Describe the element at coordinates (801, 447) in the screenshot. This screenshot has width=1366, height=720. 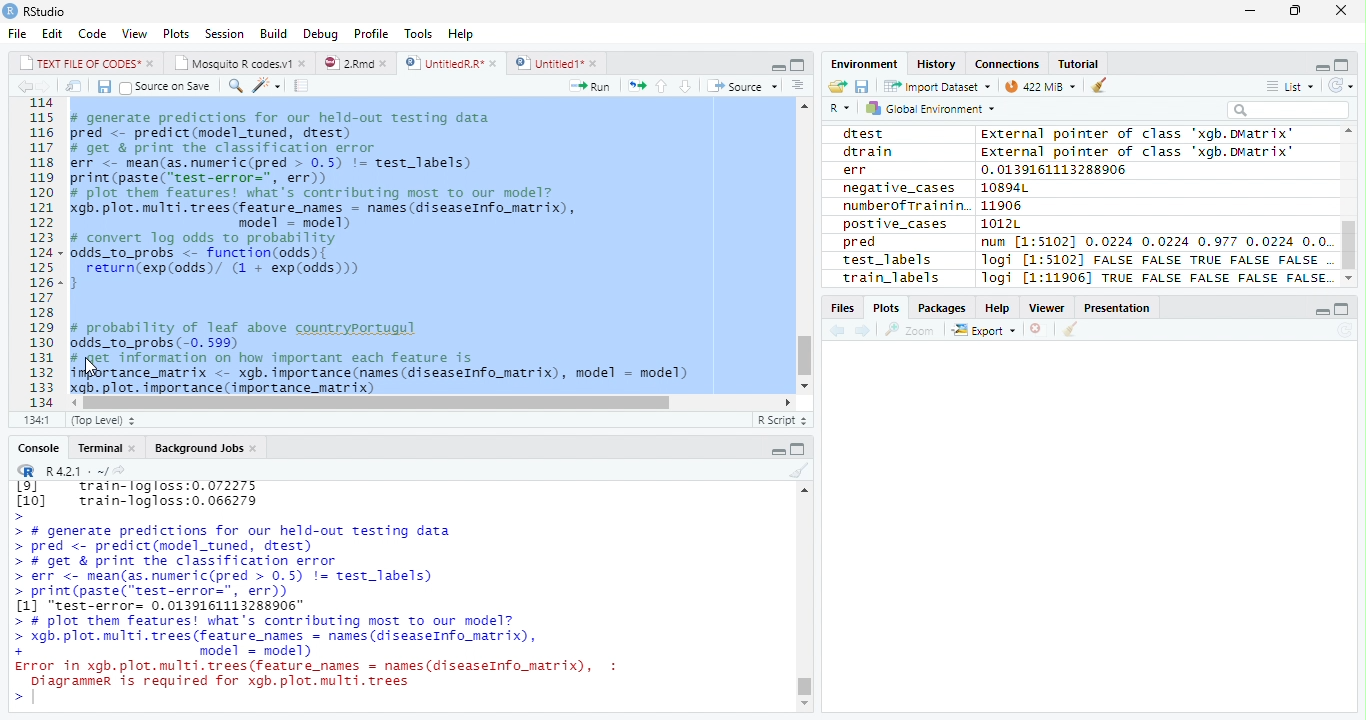
I see `Maximize` at that location.